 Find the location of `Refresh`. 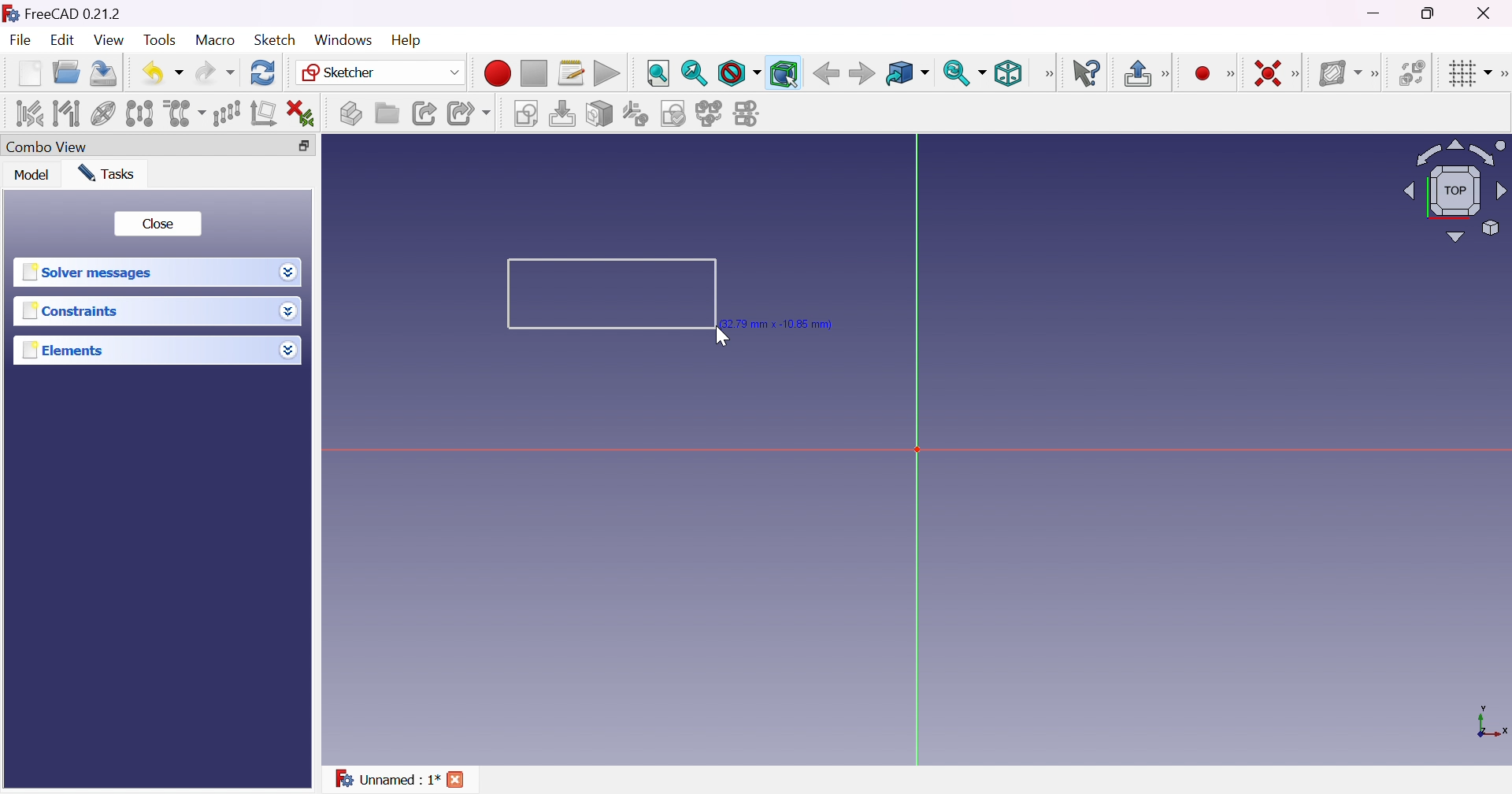

Refresh is located at coordinates (265, 72).